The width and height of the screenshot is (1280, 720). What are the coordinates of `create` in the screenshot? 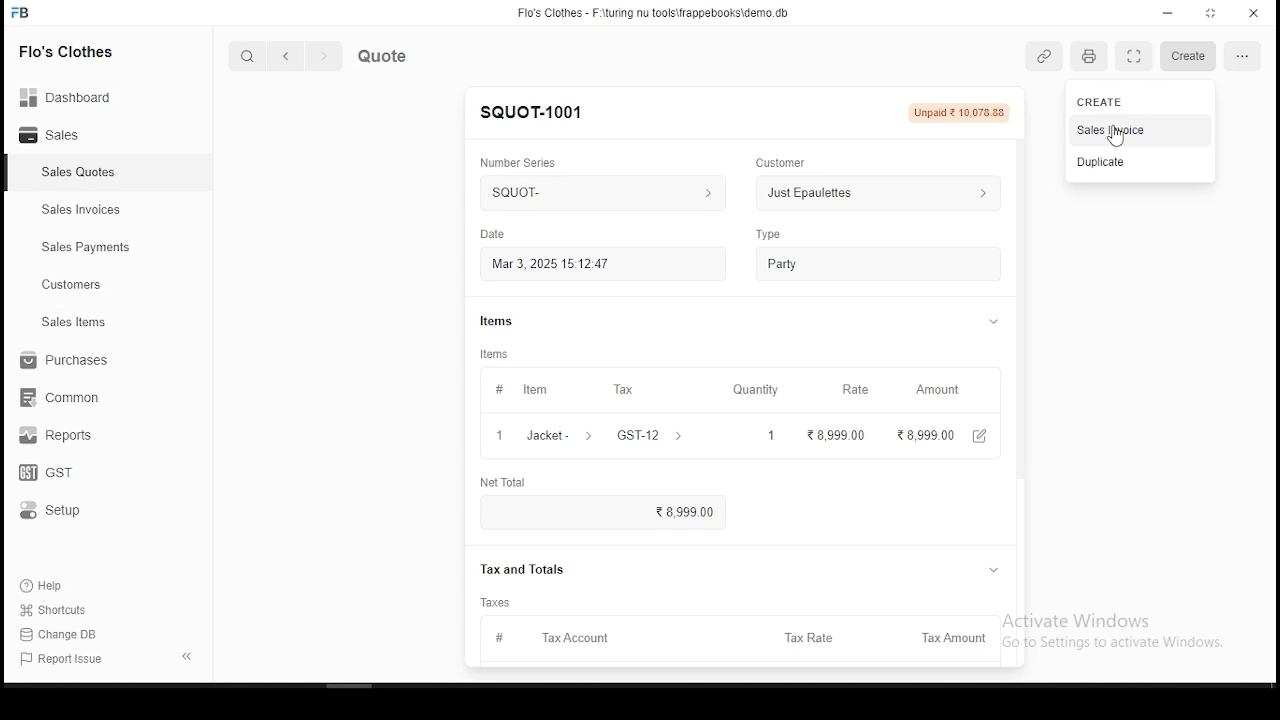 It's located at (1188, 56).